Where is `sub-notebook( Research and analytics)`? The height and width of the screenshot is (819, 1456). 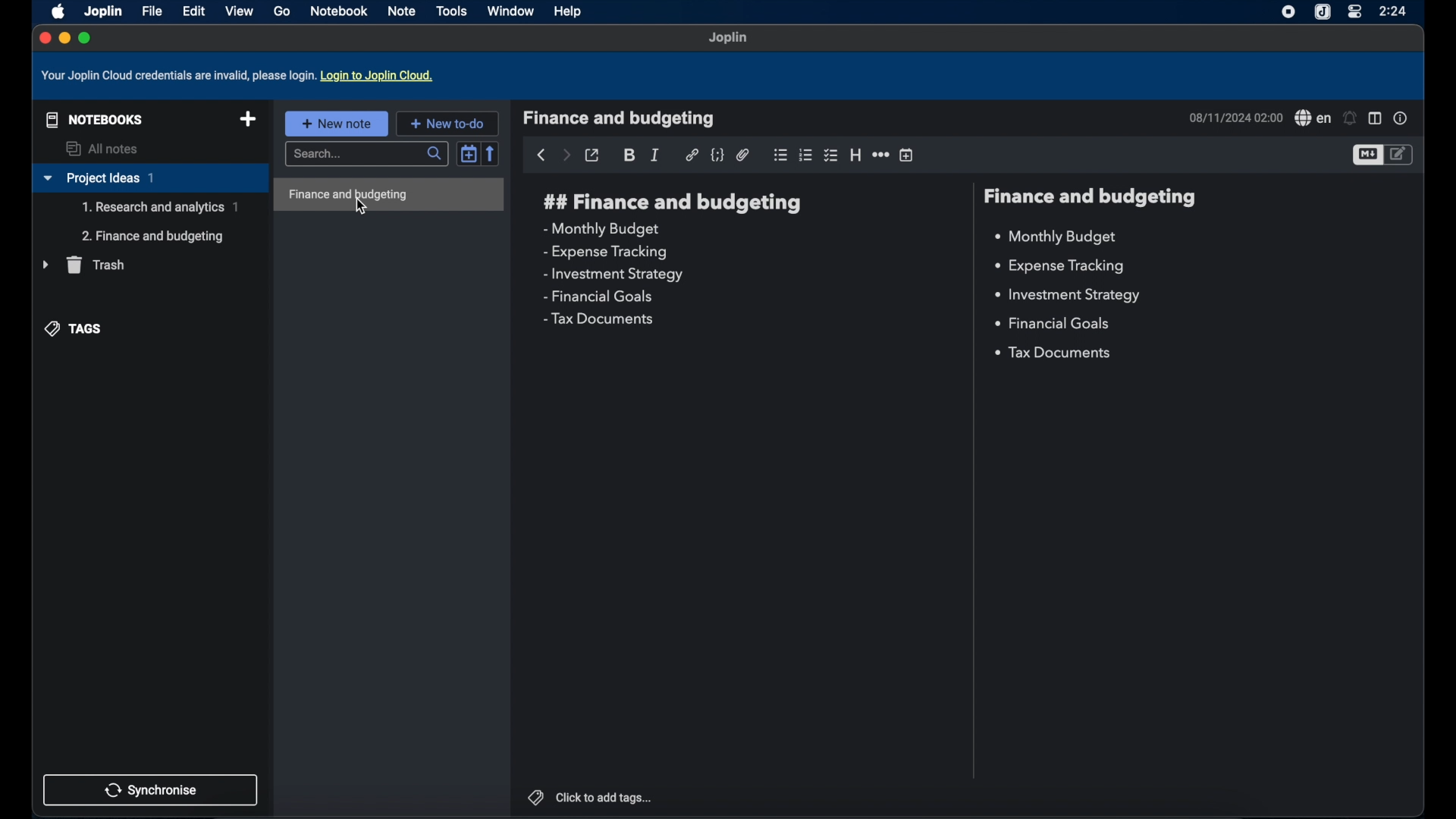 sub-notebook( Research and analytics) is located at coordinates (160, 207).